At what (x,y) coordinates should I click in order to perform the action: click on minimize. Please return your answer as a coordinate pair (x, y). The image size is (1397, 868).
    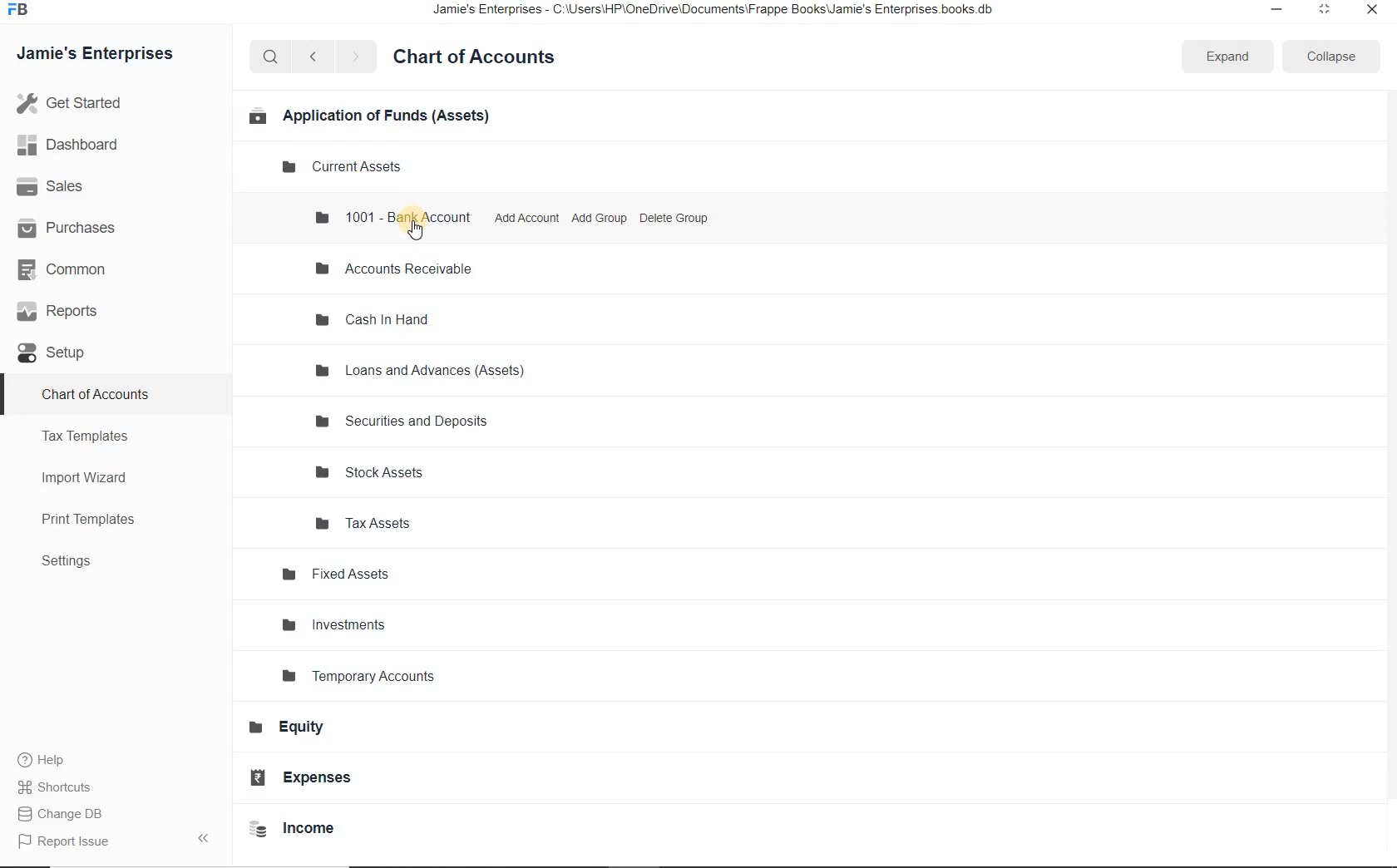
    Looking at the image, I should click on (1272, 10).